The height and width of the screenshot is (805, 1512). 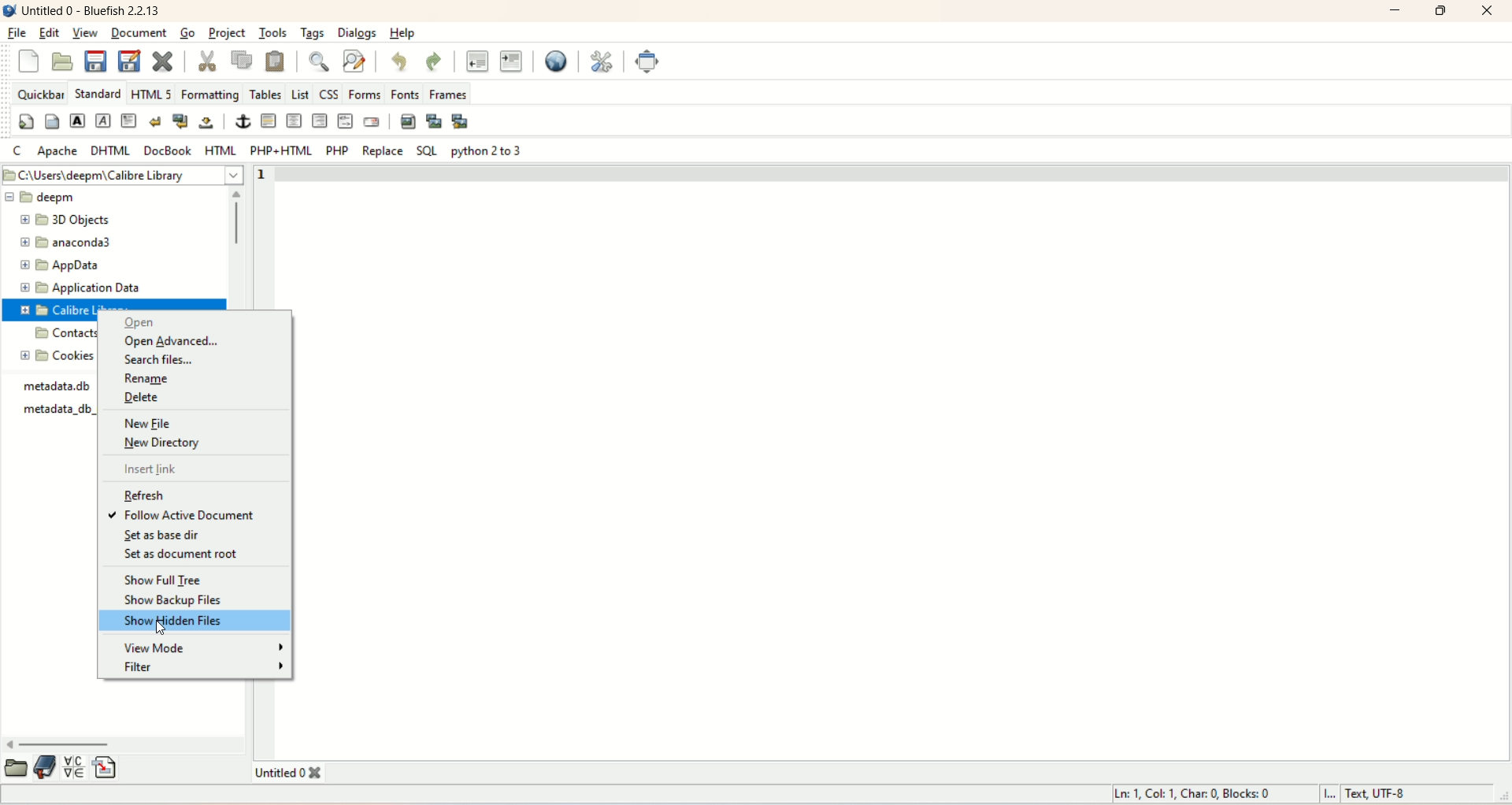 What do you see at coordinates (339, 151) in the screenshot?
I see `PHP` at bounding box center [339, 151].